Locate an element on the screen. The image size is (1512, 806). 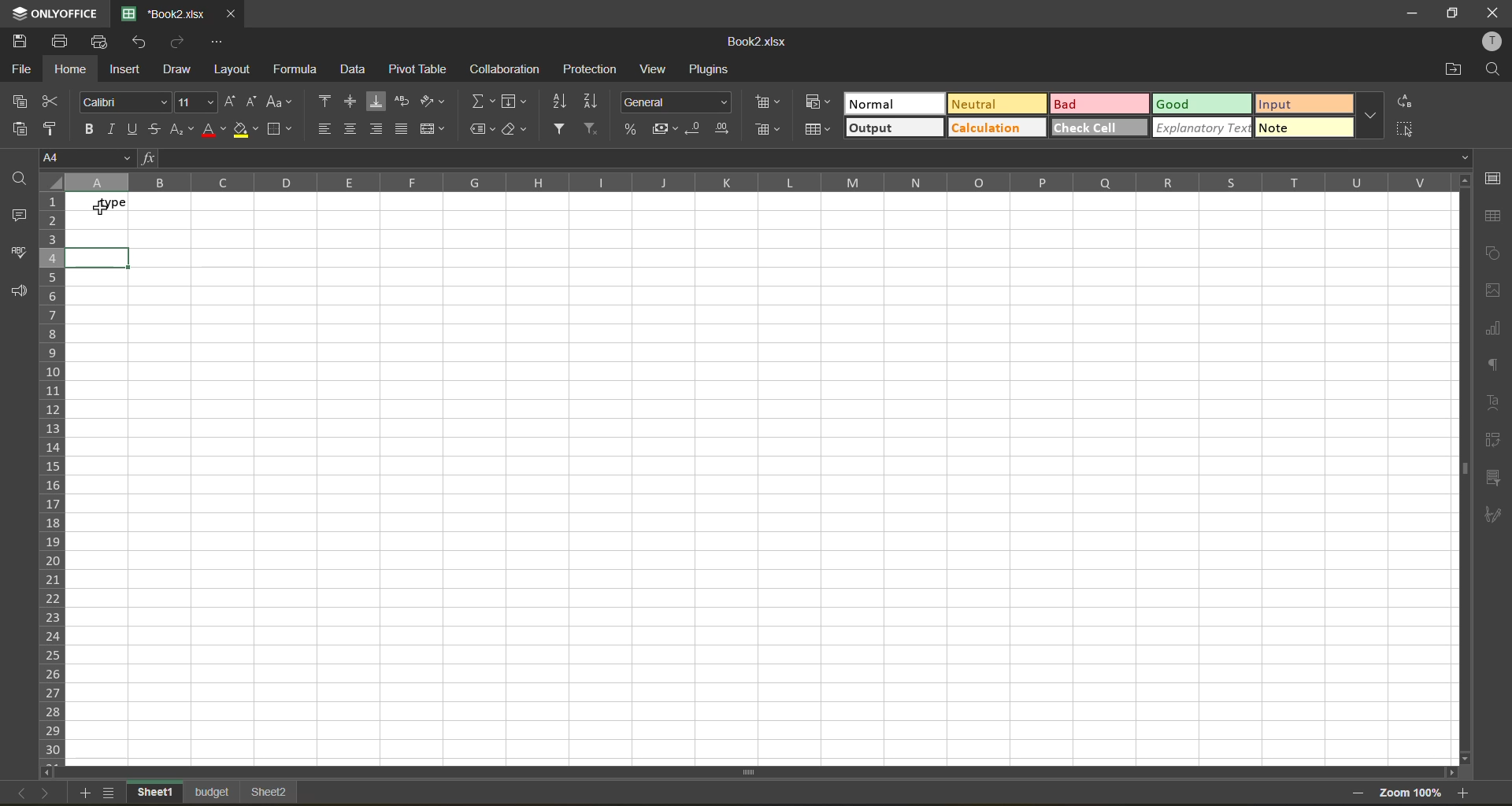
view is located at coordinates (654, 69).